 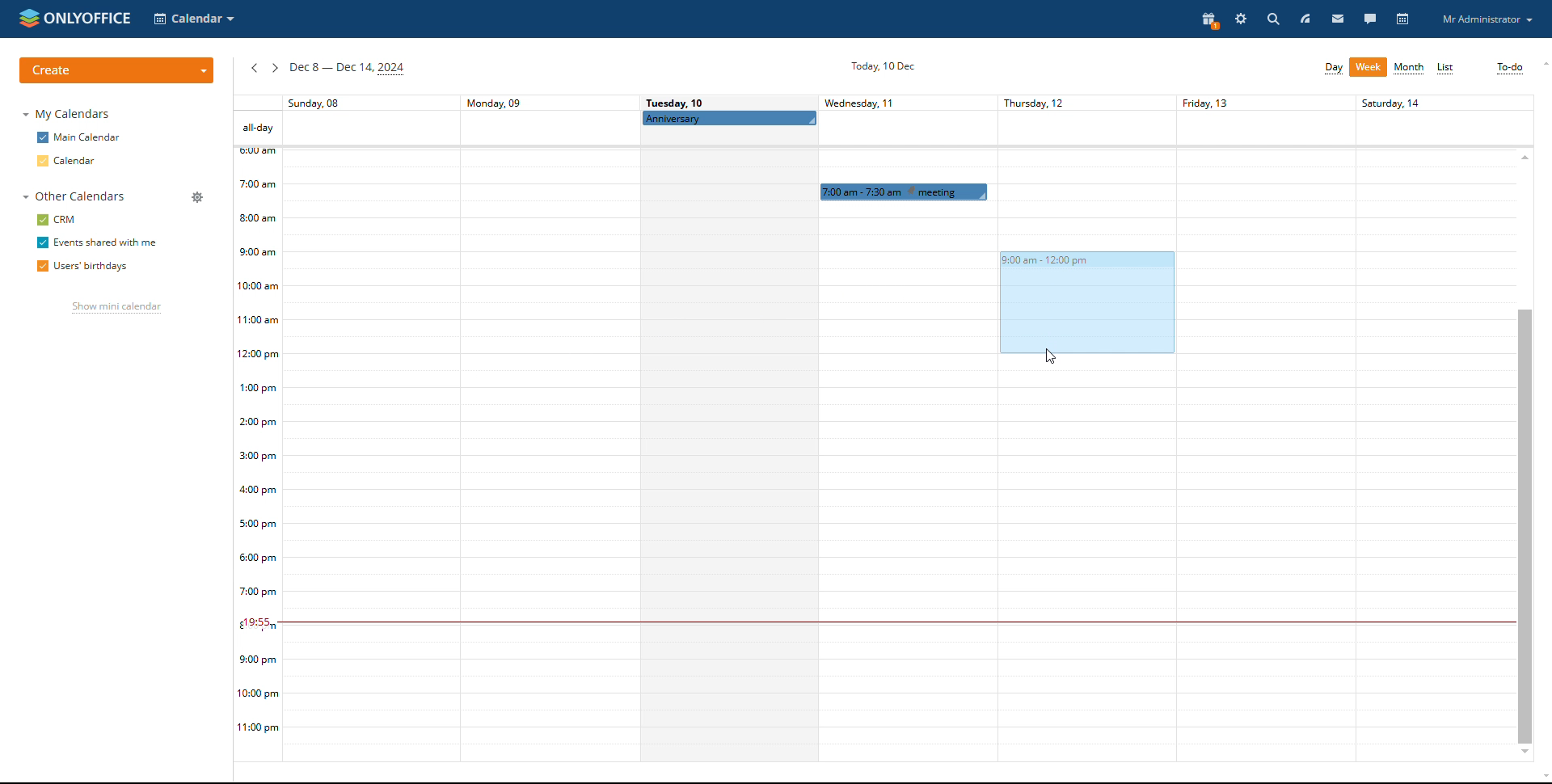 I want to click on feed, so click(x=1305, y=18).